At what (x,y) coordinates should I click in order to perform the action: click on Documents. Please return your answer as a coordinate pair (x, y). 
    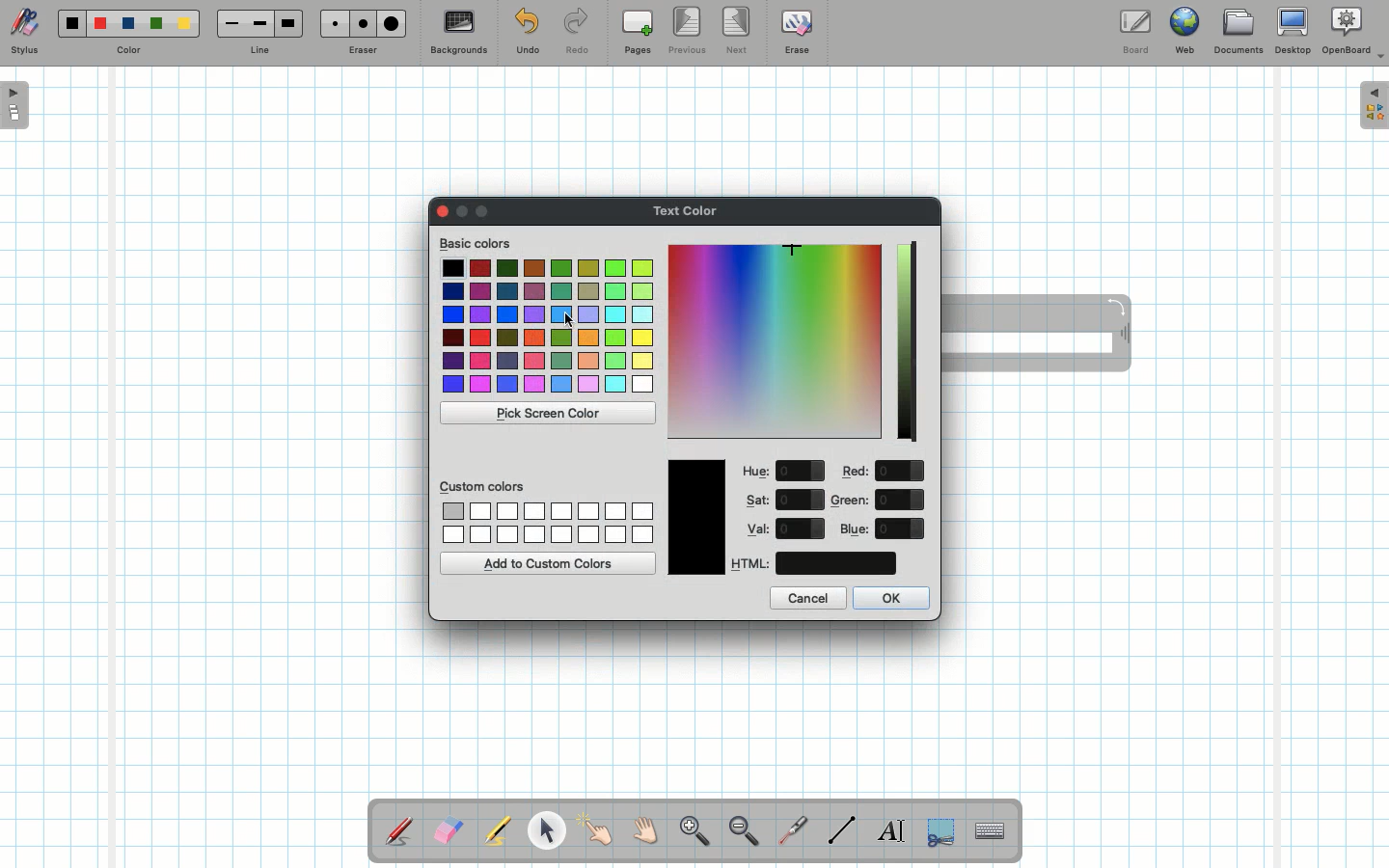
    Looking at the image, I should click on (1238, 34).